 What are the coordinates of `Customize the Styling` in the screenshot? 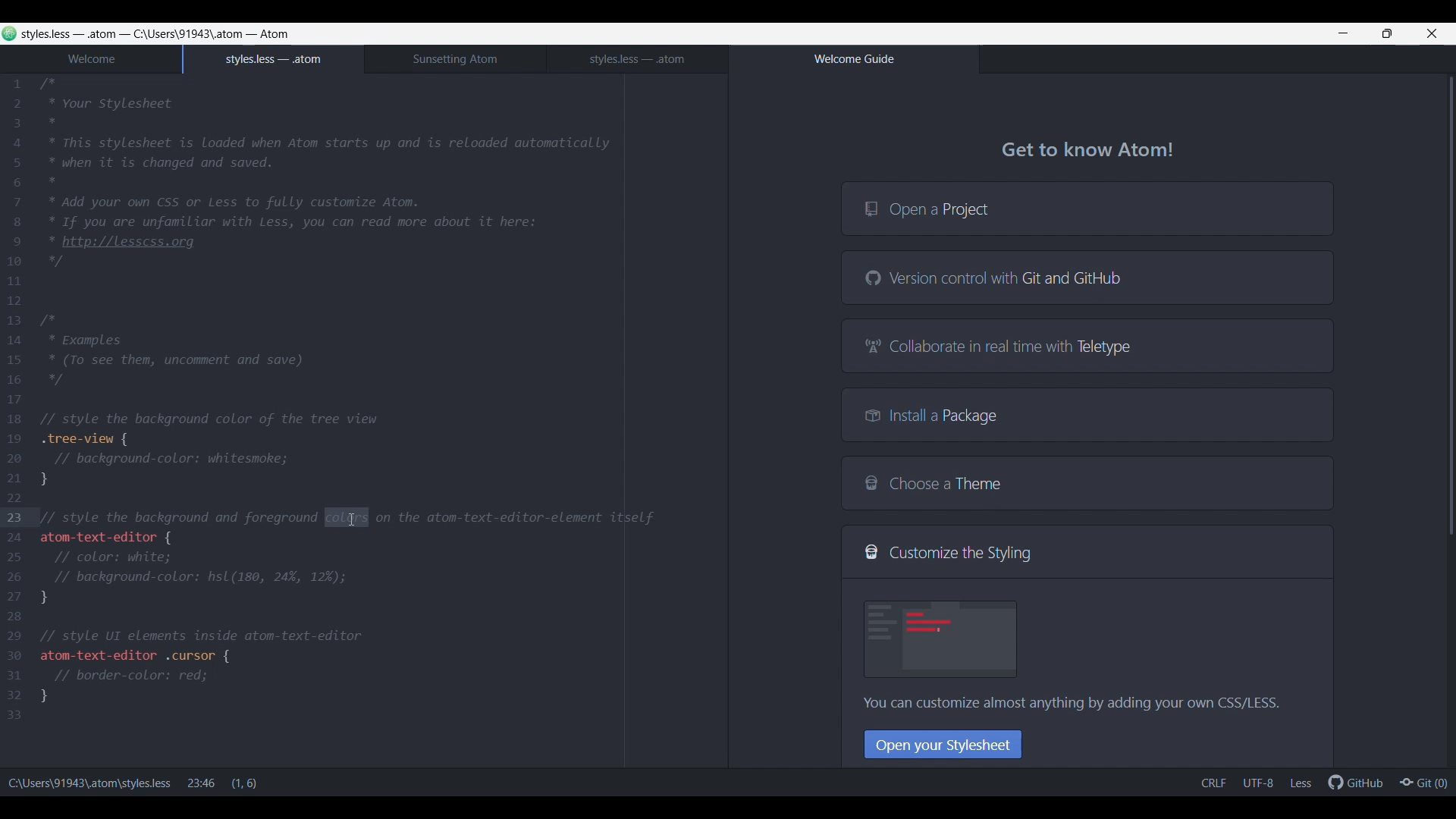 It's located at (1087, 552).